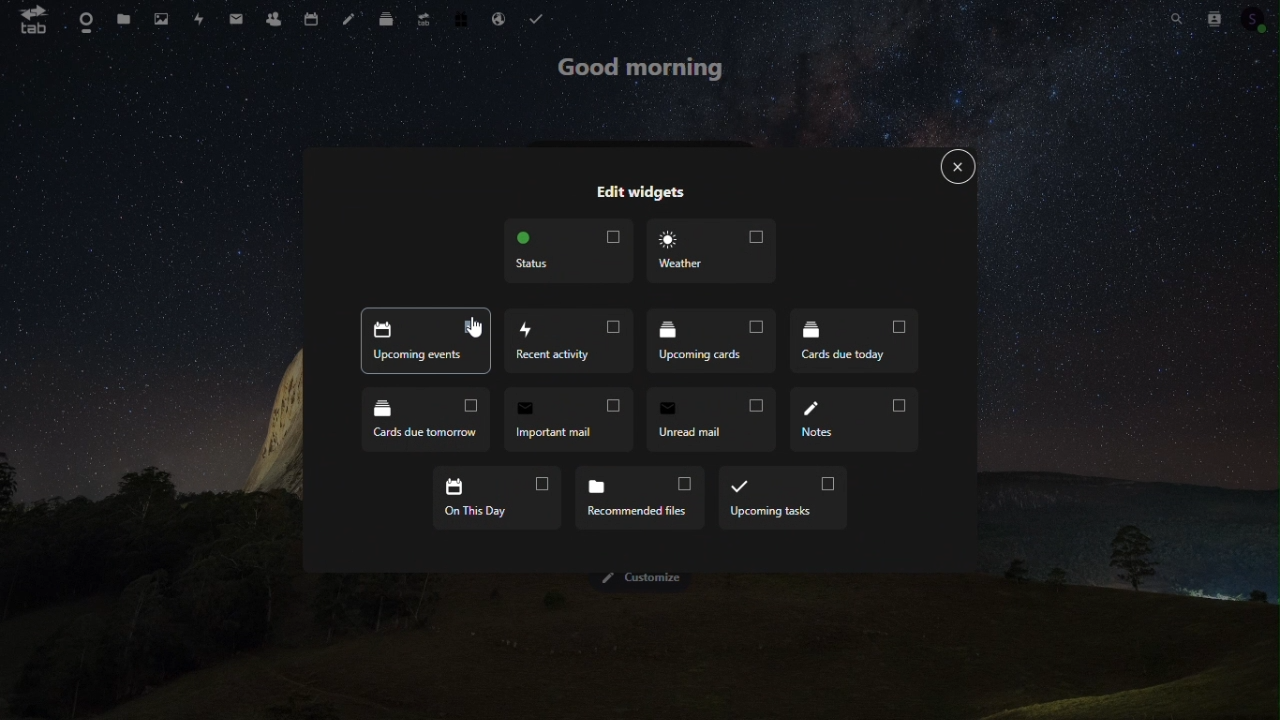  What do you see at coordinates (236, 16) in the screenshot?
I see `mail` at bounding box center [236, 16].